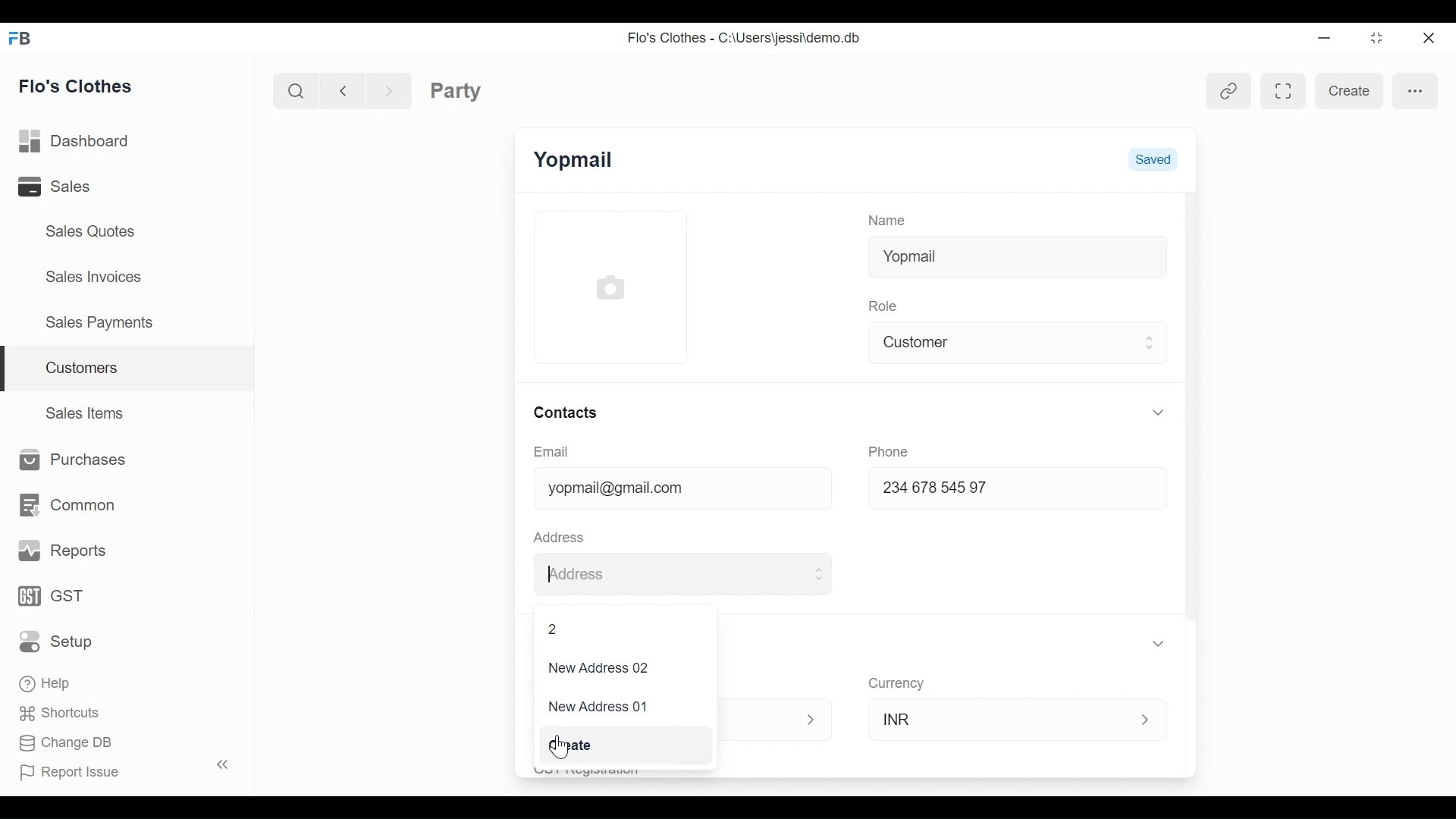 This screenshot has width=1456, height=819. Describe the element at coordinates (75, 186) in the screenshot. I see `Sales` at that location.